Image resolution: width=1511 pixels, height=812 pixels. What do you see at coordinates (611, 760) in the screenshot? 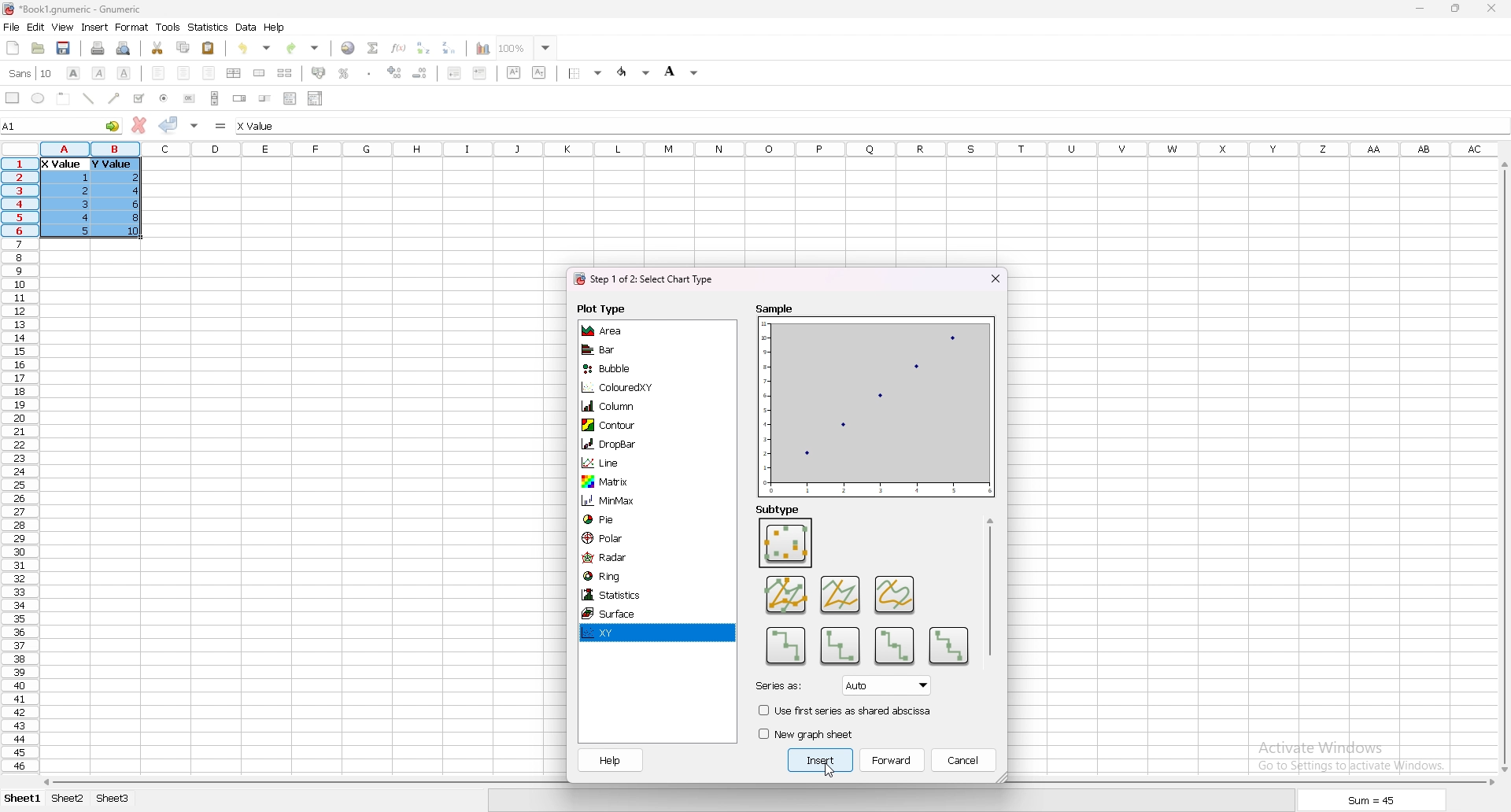
I see `help` at bounding box center [611, 760].